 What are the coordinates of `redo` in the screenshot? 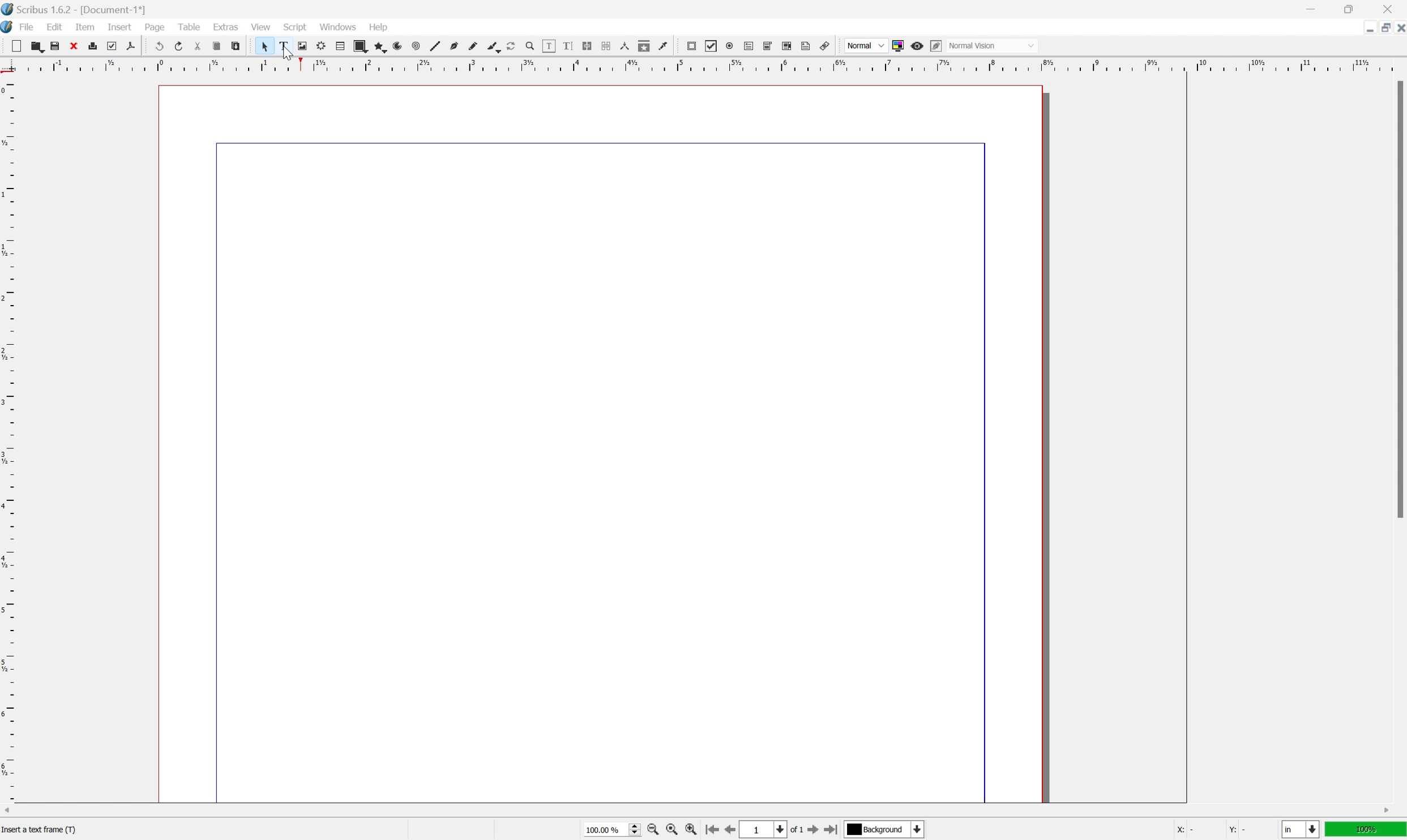 It's located at (179, 45).